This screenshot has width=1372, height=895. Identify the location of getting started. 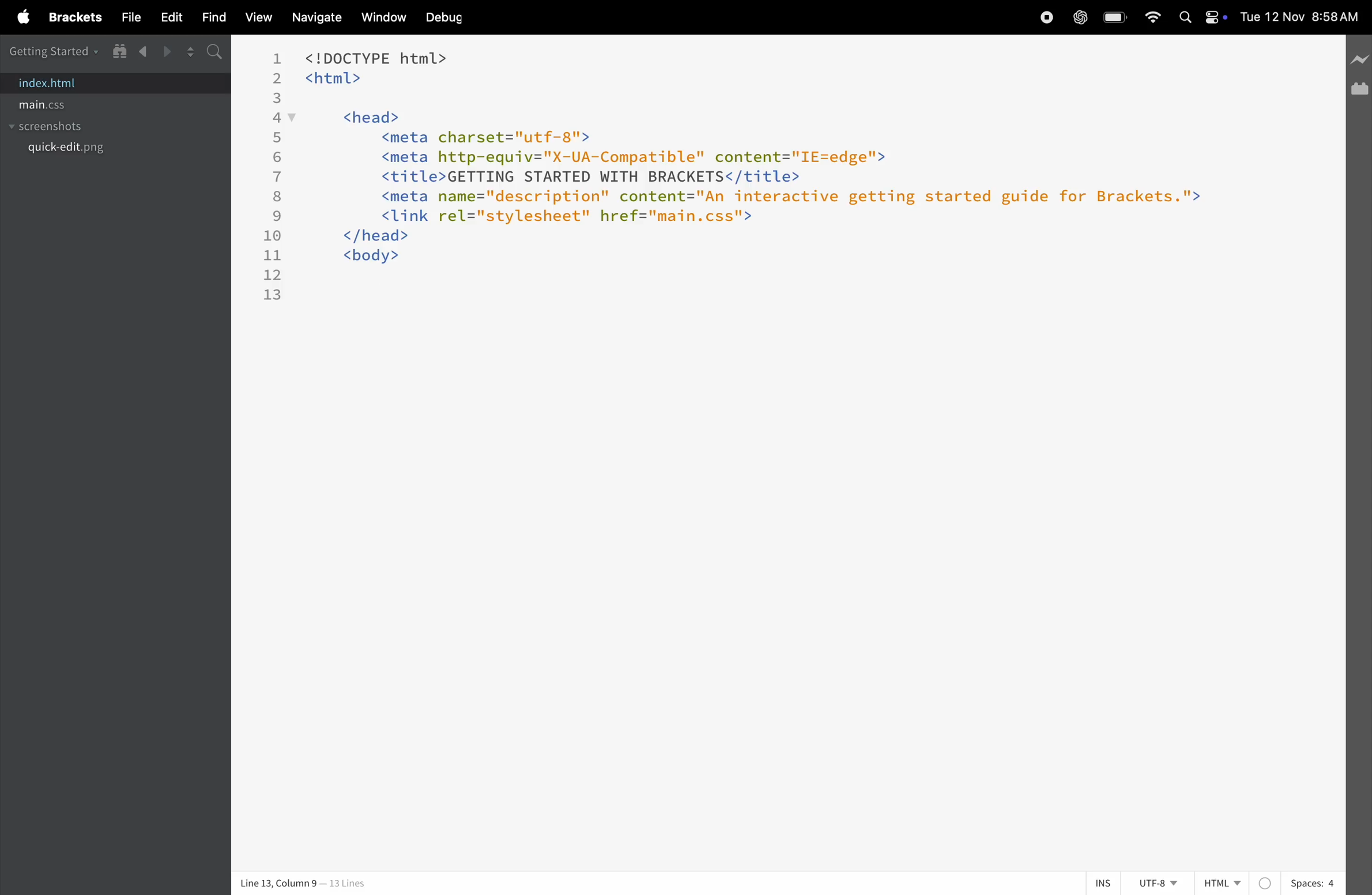
(54, 50).